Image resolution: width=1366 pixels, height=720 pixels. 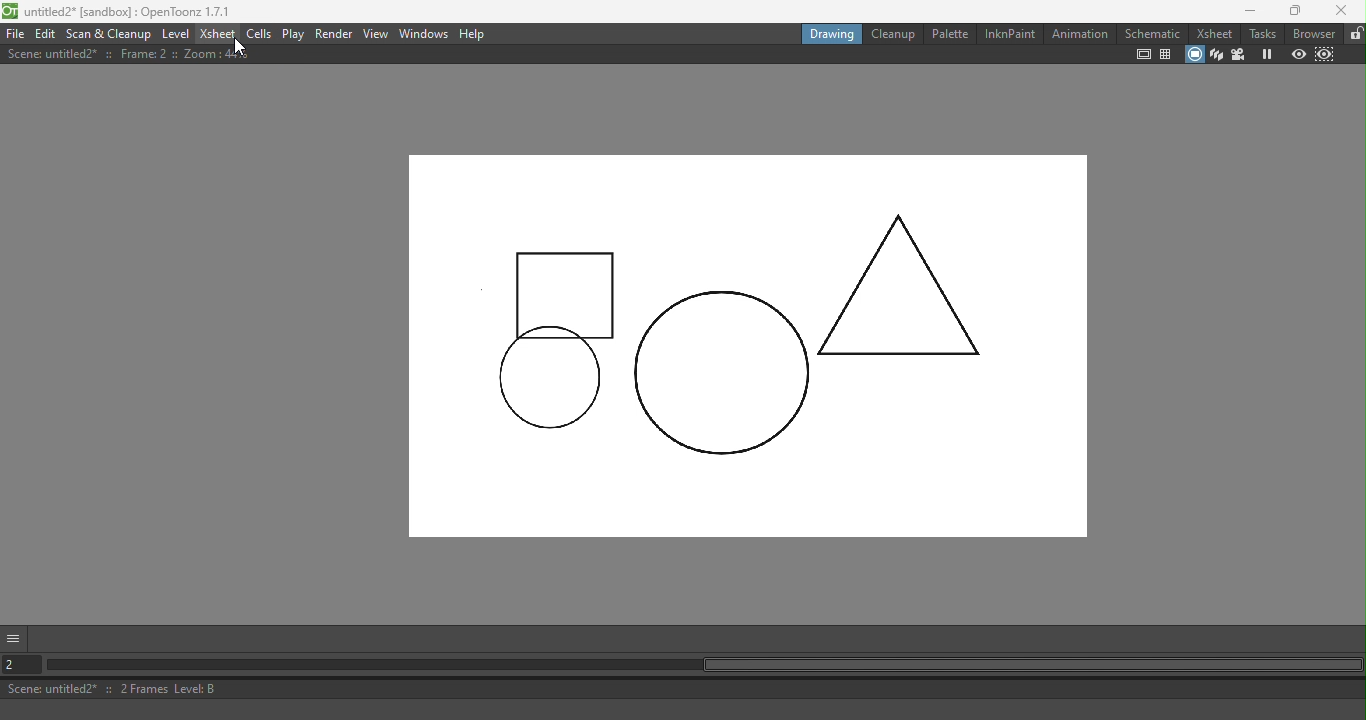 What do you see at coordinates (335, 35) in the screenshot?
I see `Render` at bounding box center [335, 35].